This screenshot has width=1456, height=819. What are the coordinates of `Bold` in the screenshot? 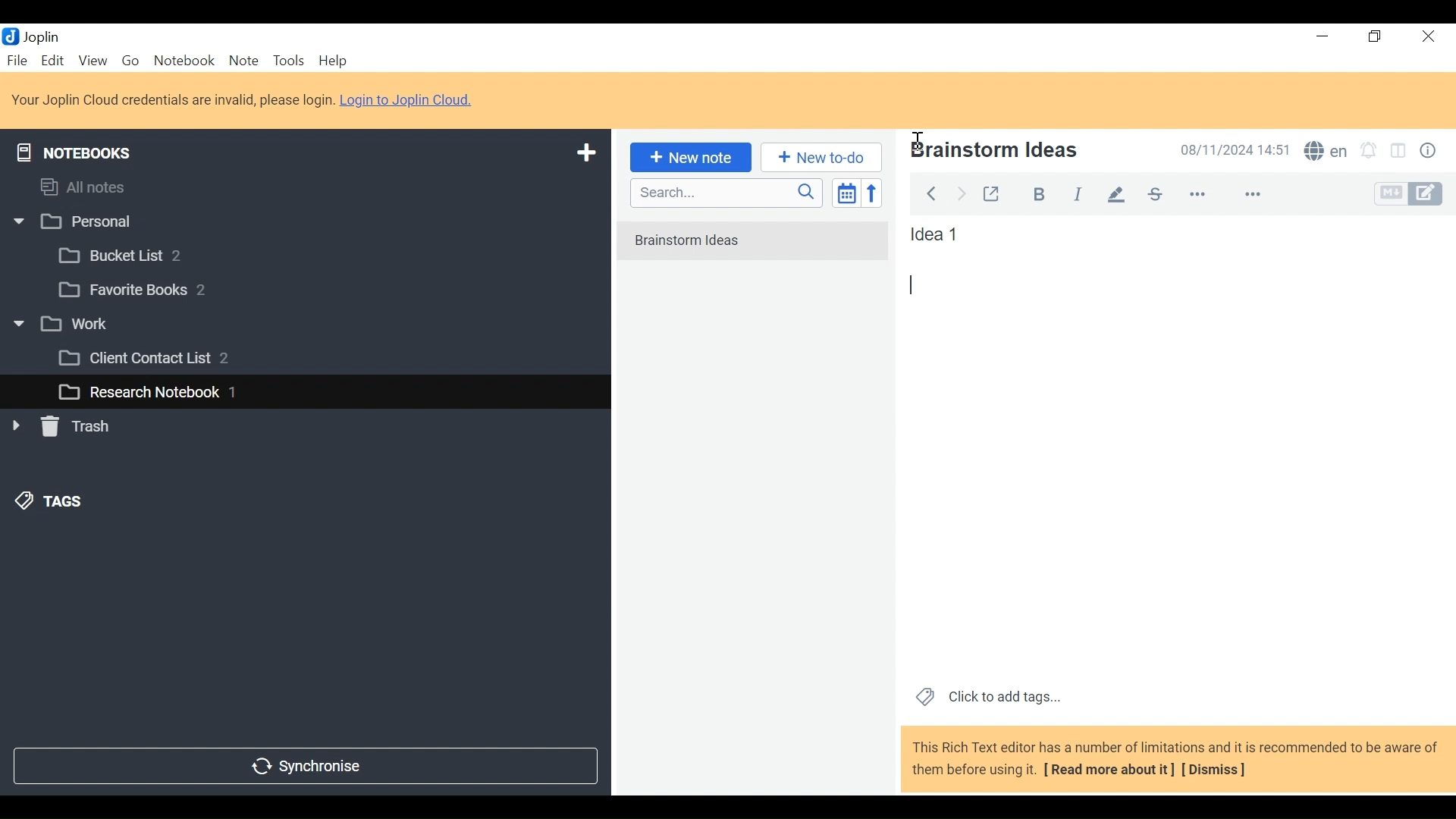 It's located at (1032, 192).